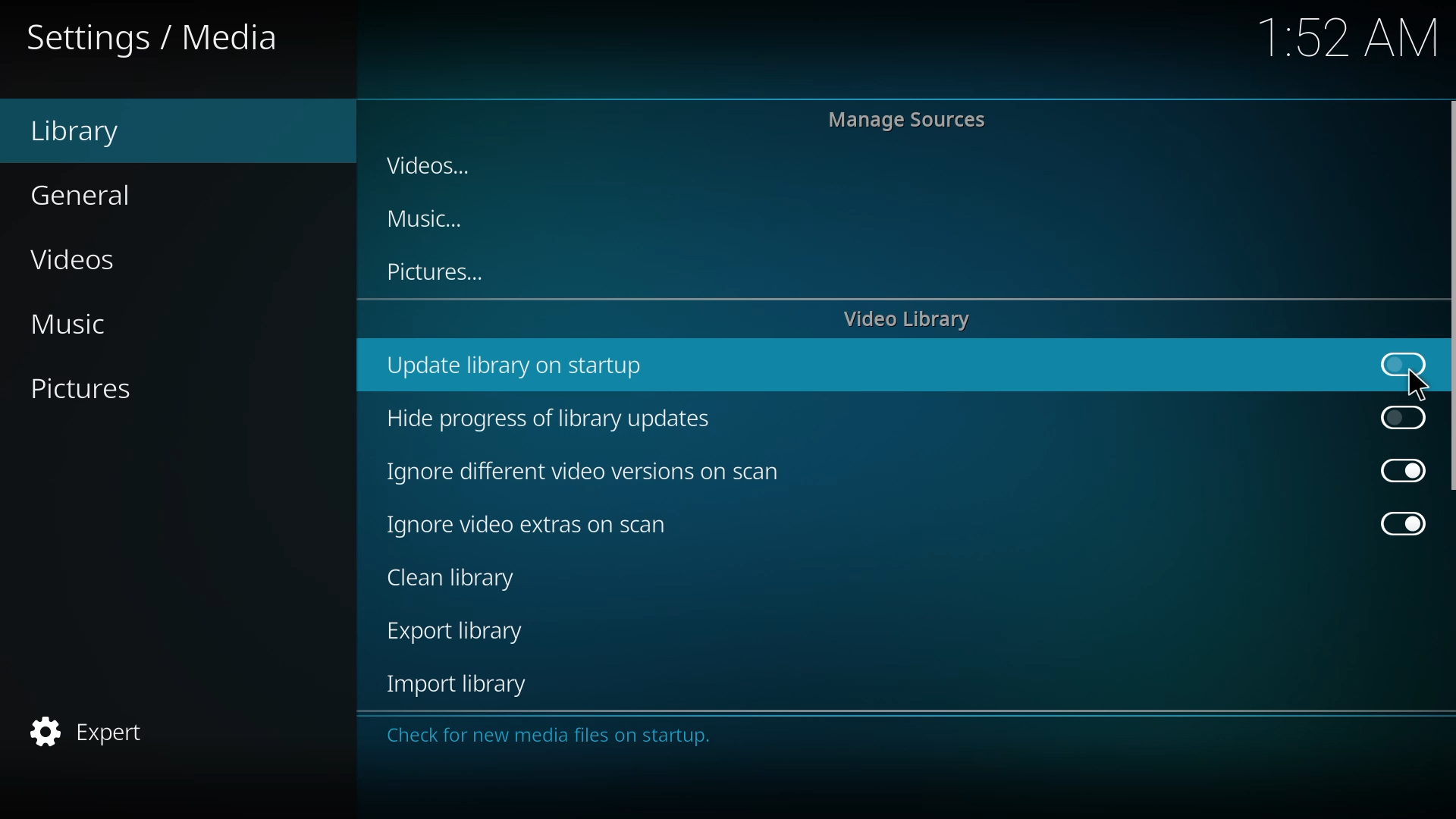  I want to click on settings media, so click(156, 35).